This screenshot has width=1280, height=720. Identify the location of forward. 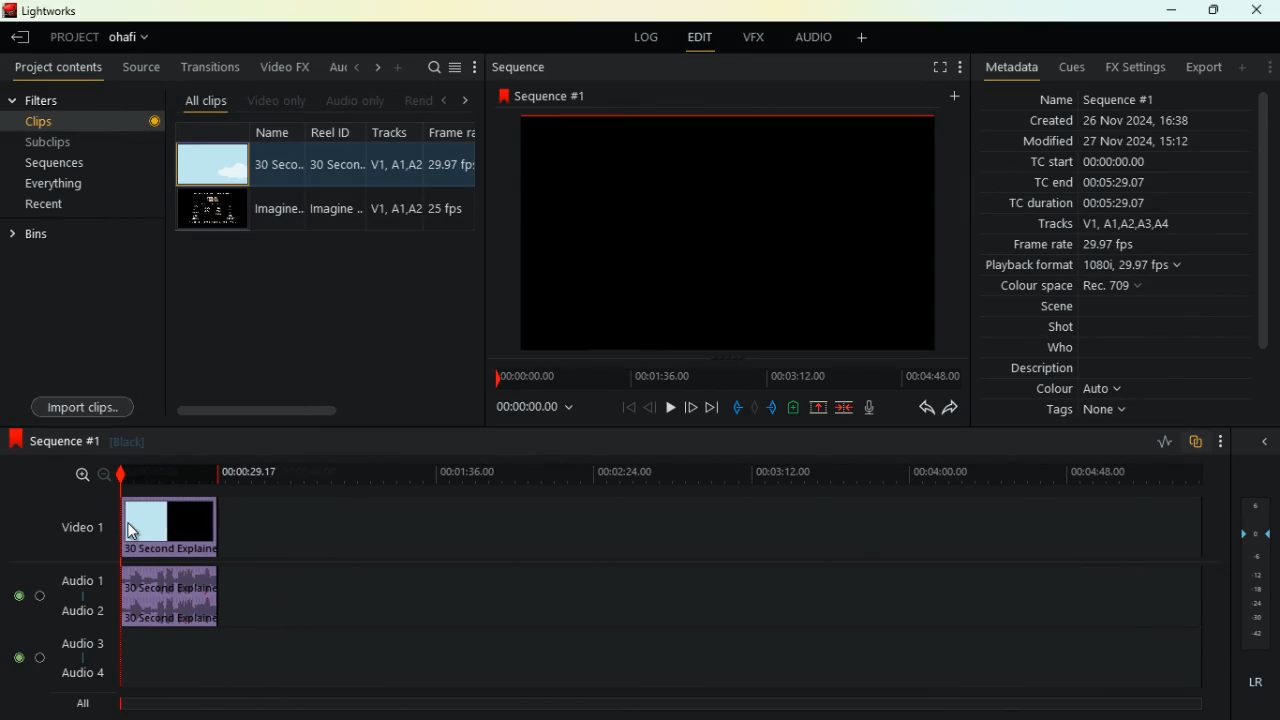
(953, 408).